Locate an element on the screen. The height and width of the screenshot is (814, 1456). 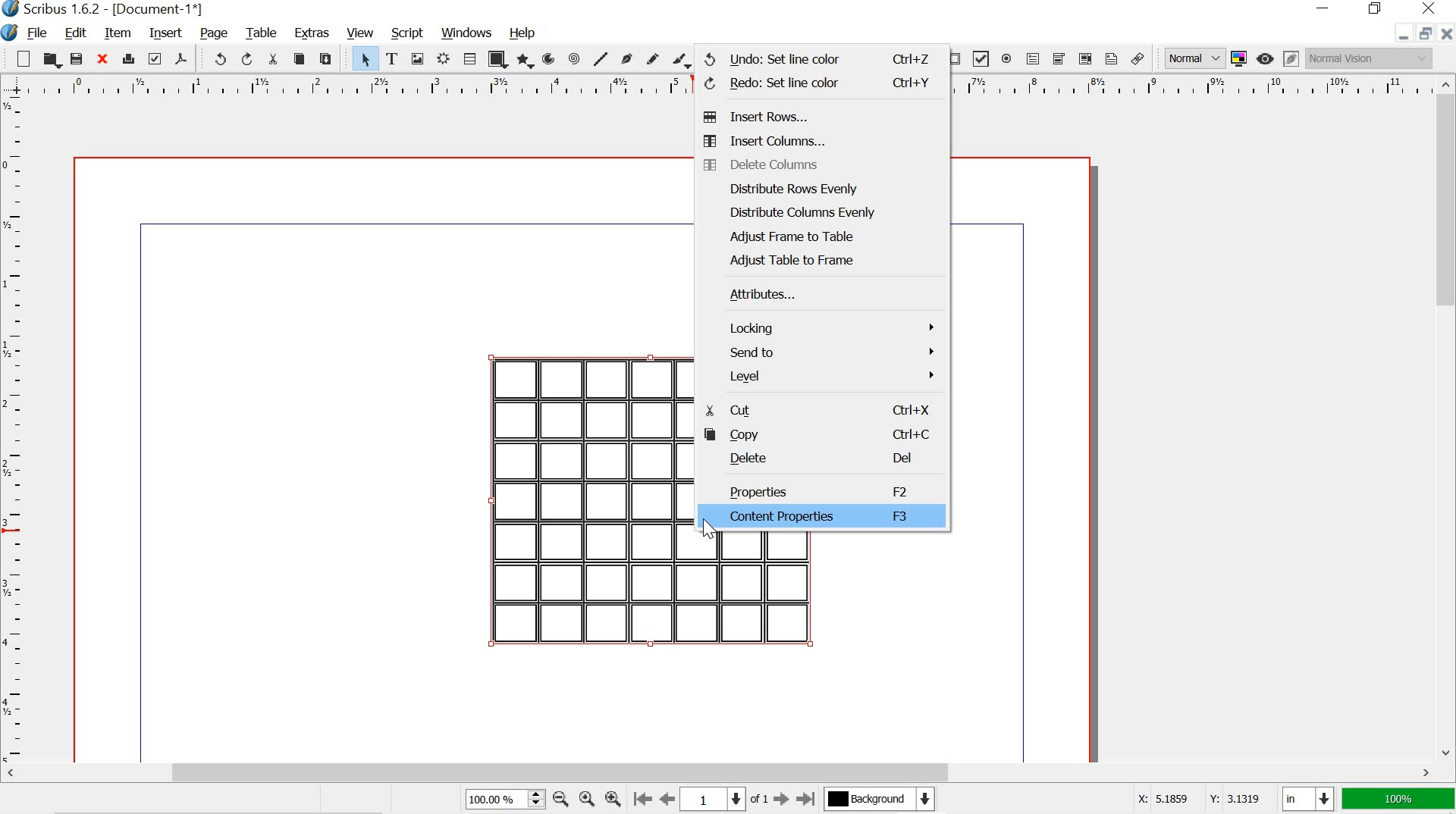
pdf radio button is located at coordinates (1006, 59).